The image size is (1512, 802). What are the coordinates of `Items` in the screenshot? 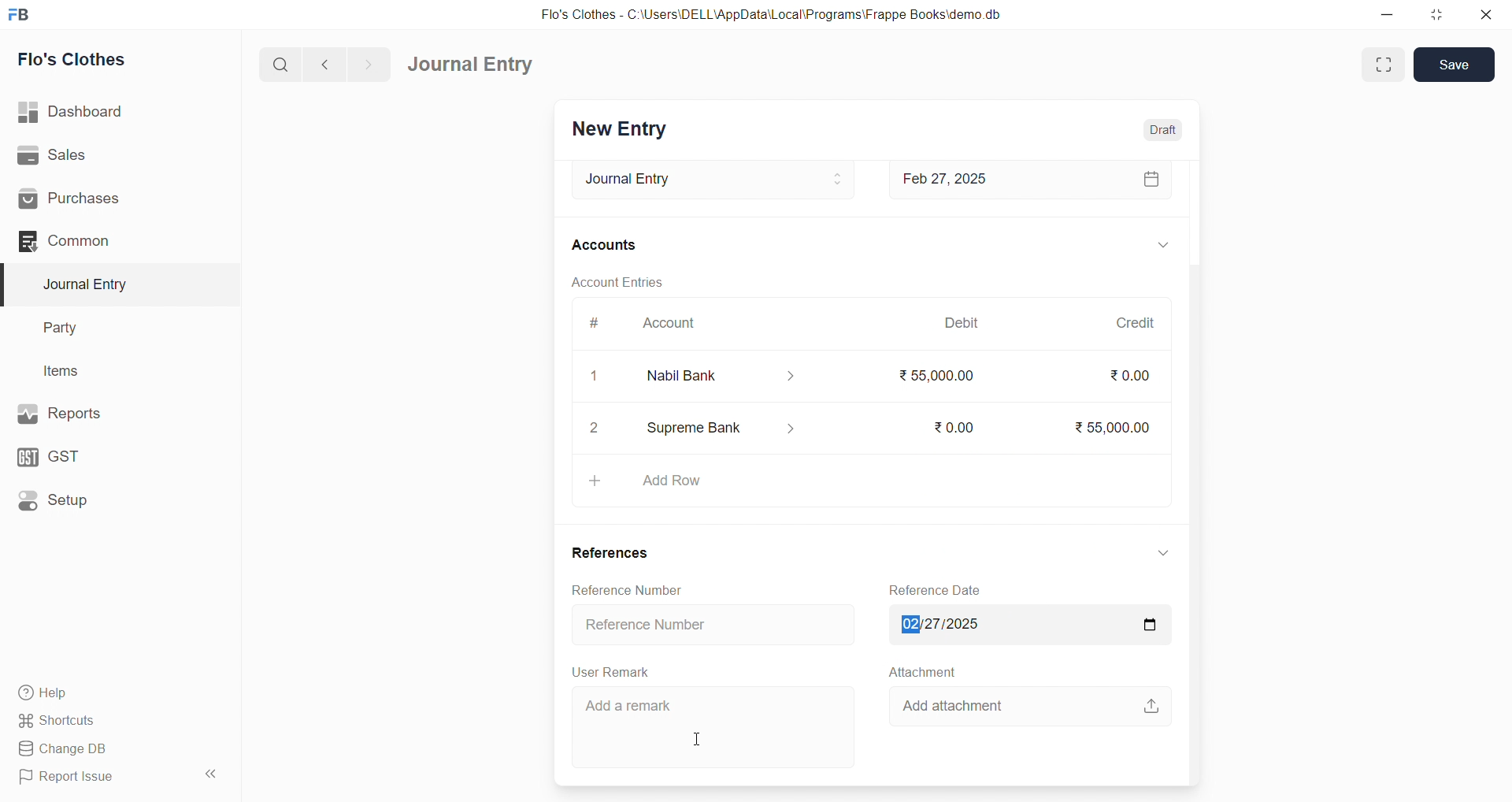 It's located at (67, 370).